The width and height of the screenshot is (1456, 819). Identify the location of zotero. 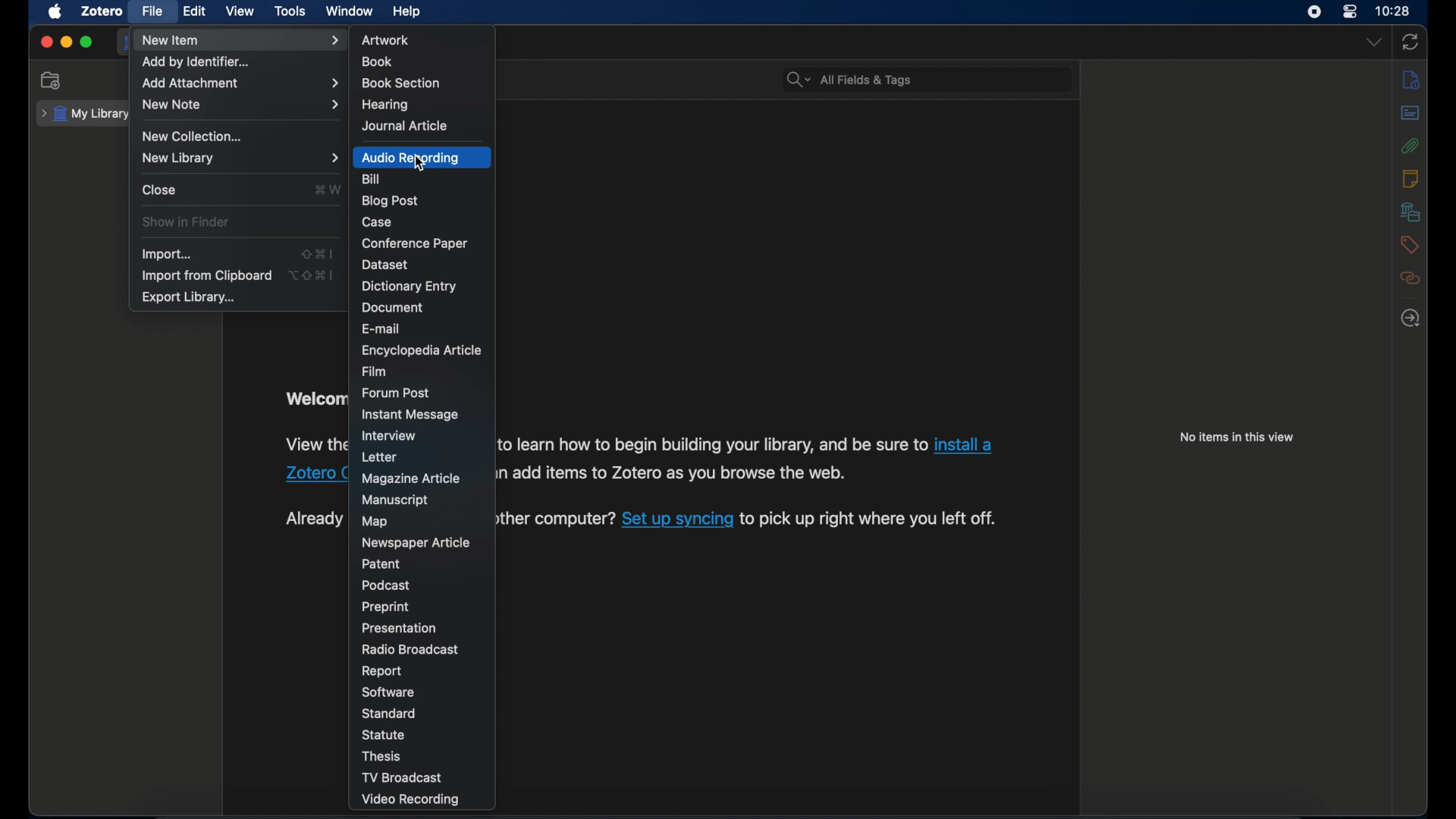
(102, 11).